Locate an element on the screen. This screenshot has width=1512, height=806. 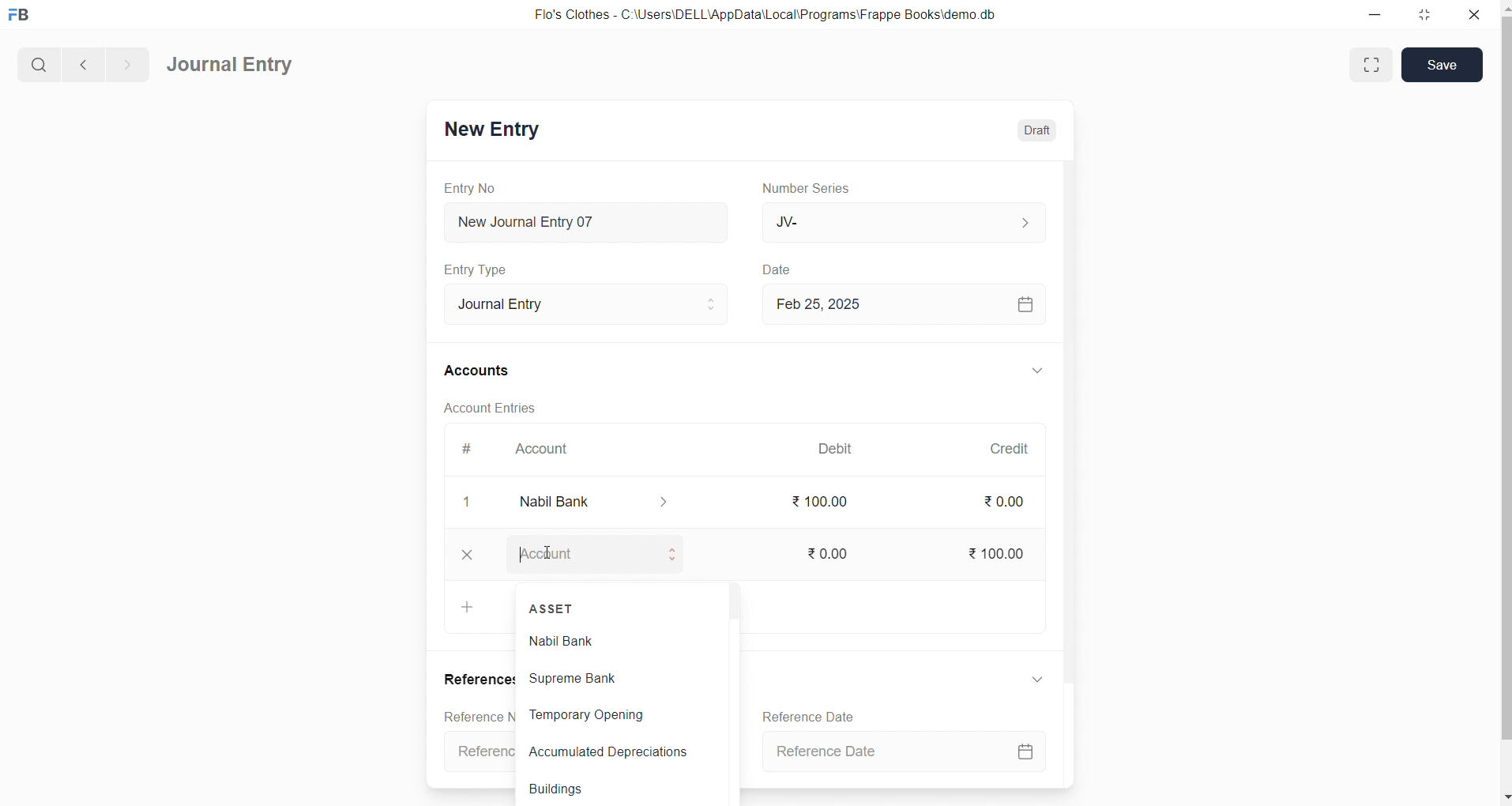
₹ 100.00 is located at coordinates (1000, 551).